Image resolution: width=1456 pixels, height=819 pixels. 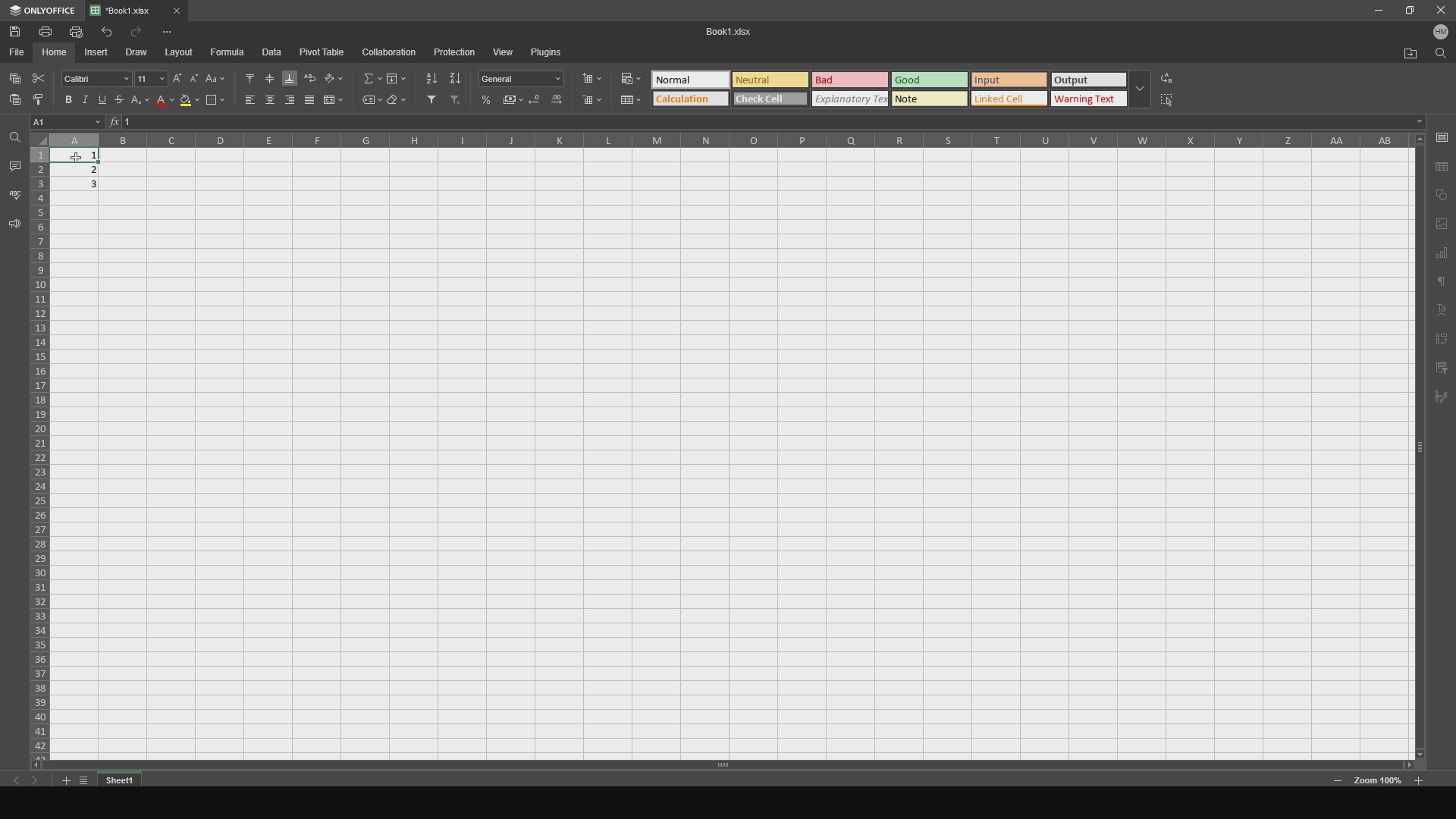 I want to click on filter, so click(x=1442, y=367).